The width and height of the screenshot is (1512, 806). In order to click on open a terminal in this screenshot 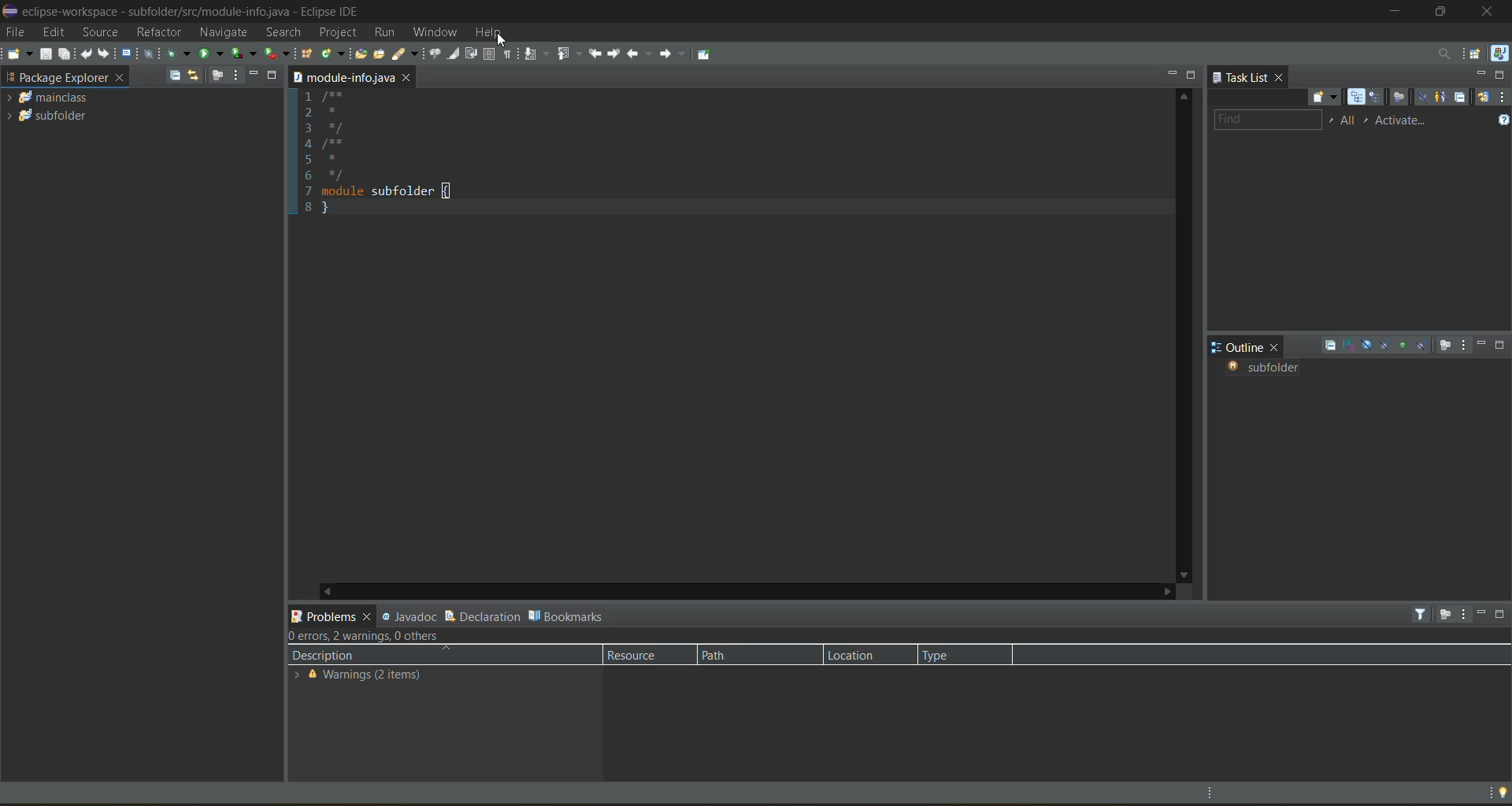, I will do `click(128, 52)`.